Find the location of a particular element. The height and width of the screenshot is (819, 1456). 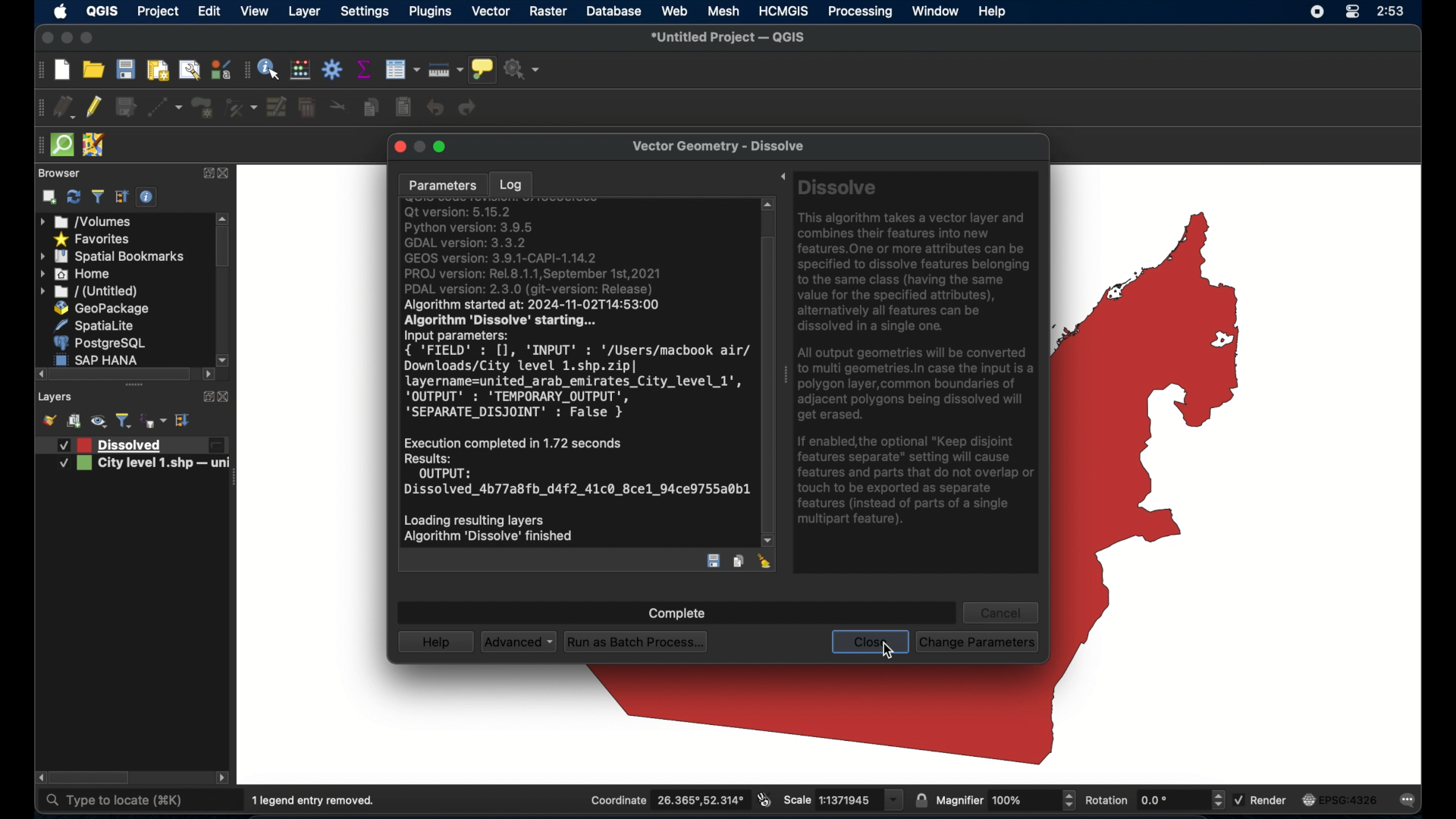

scroll up arrow is located at coordinates (224, 217).